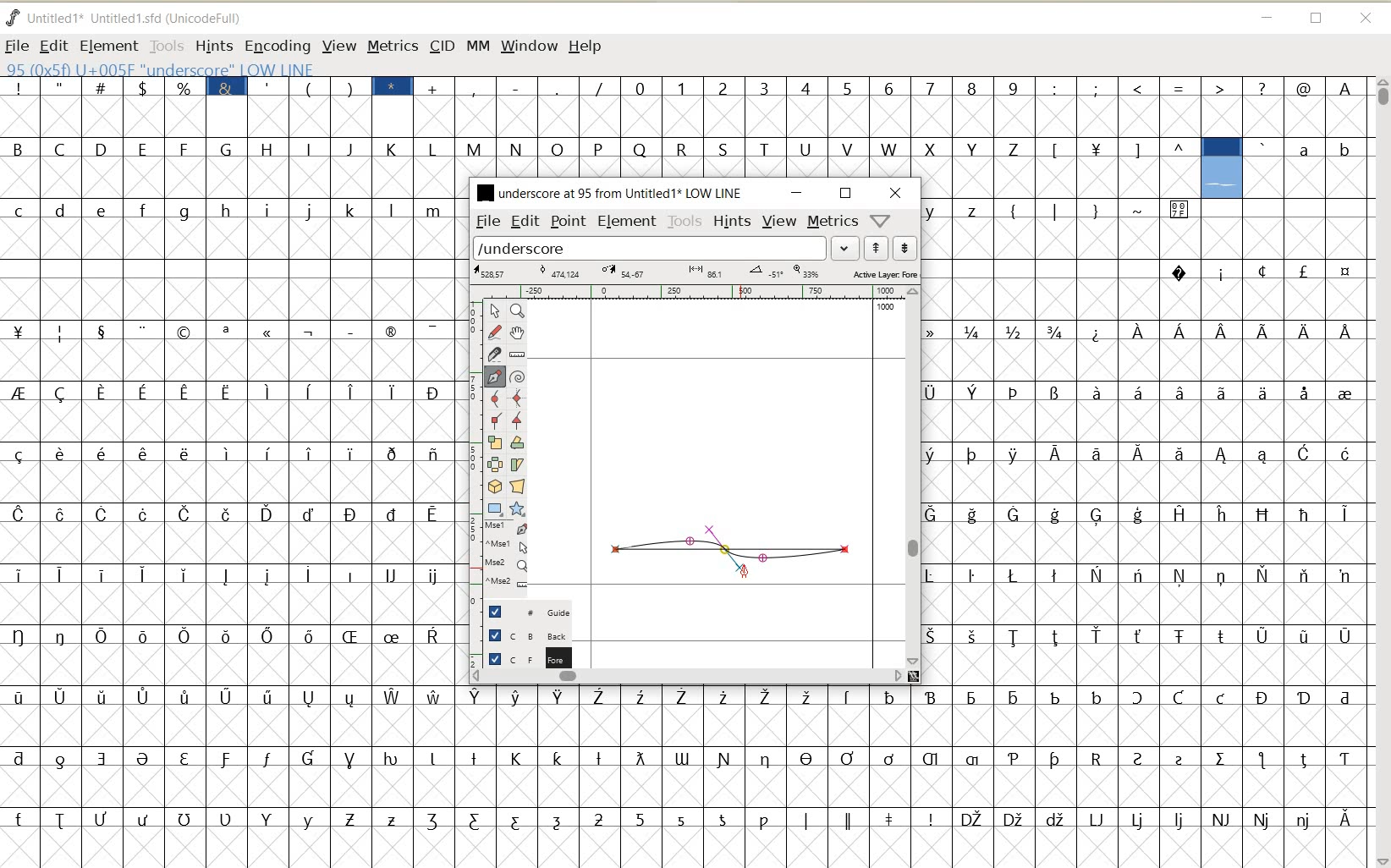 This screenshot has width=1391, height=868. What do you see at coordinates (1311, 167) in the screenshot?
I see `GLYPHY CHARACTERS` at bounding box center [1311, 167].